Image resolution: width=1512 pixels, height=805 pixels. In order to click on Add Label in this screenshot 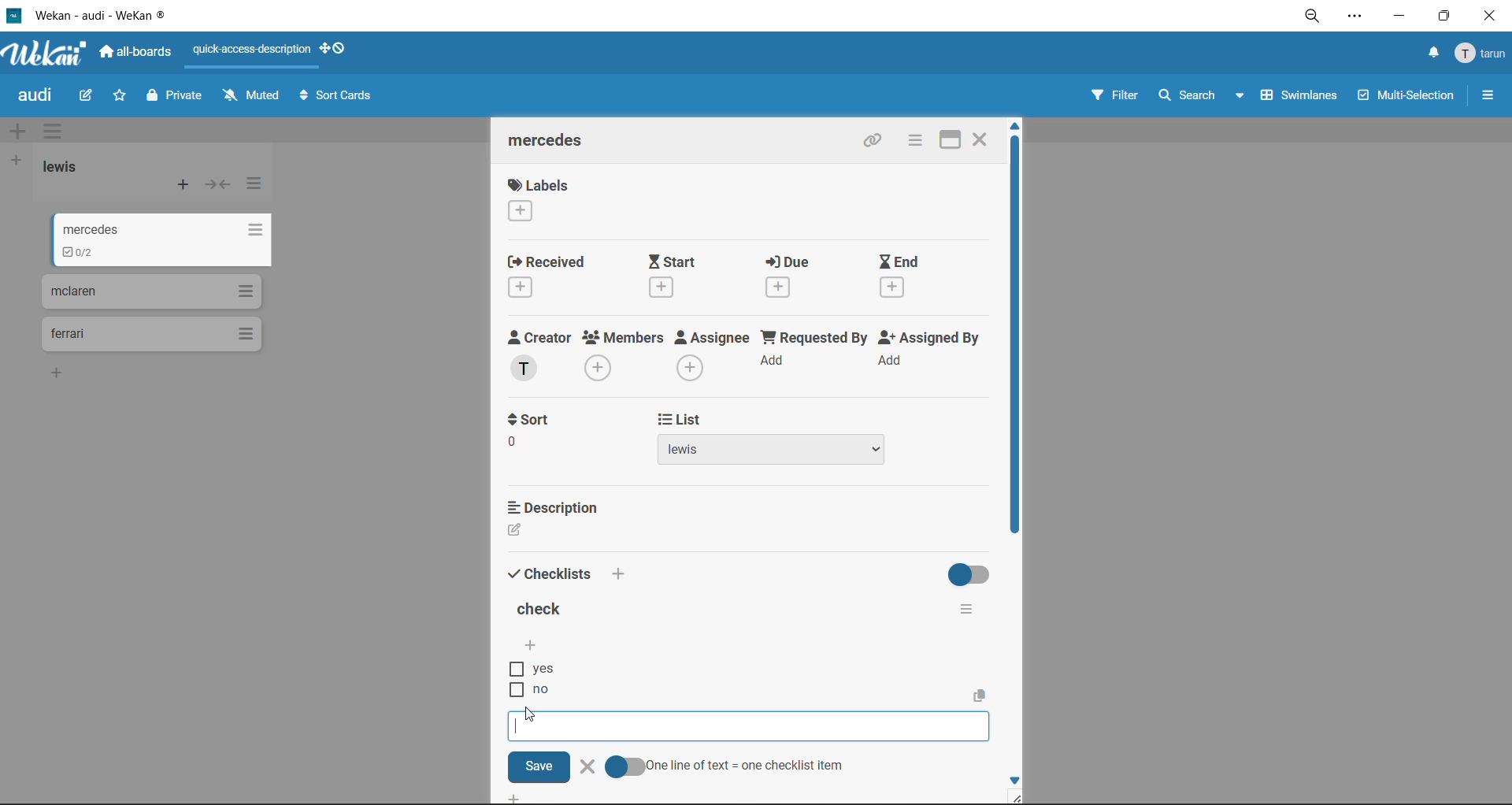, I will do `click(520, 212)`.